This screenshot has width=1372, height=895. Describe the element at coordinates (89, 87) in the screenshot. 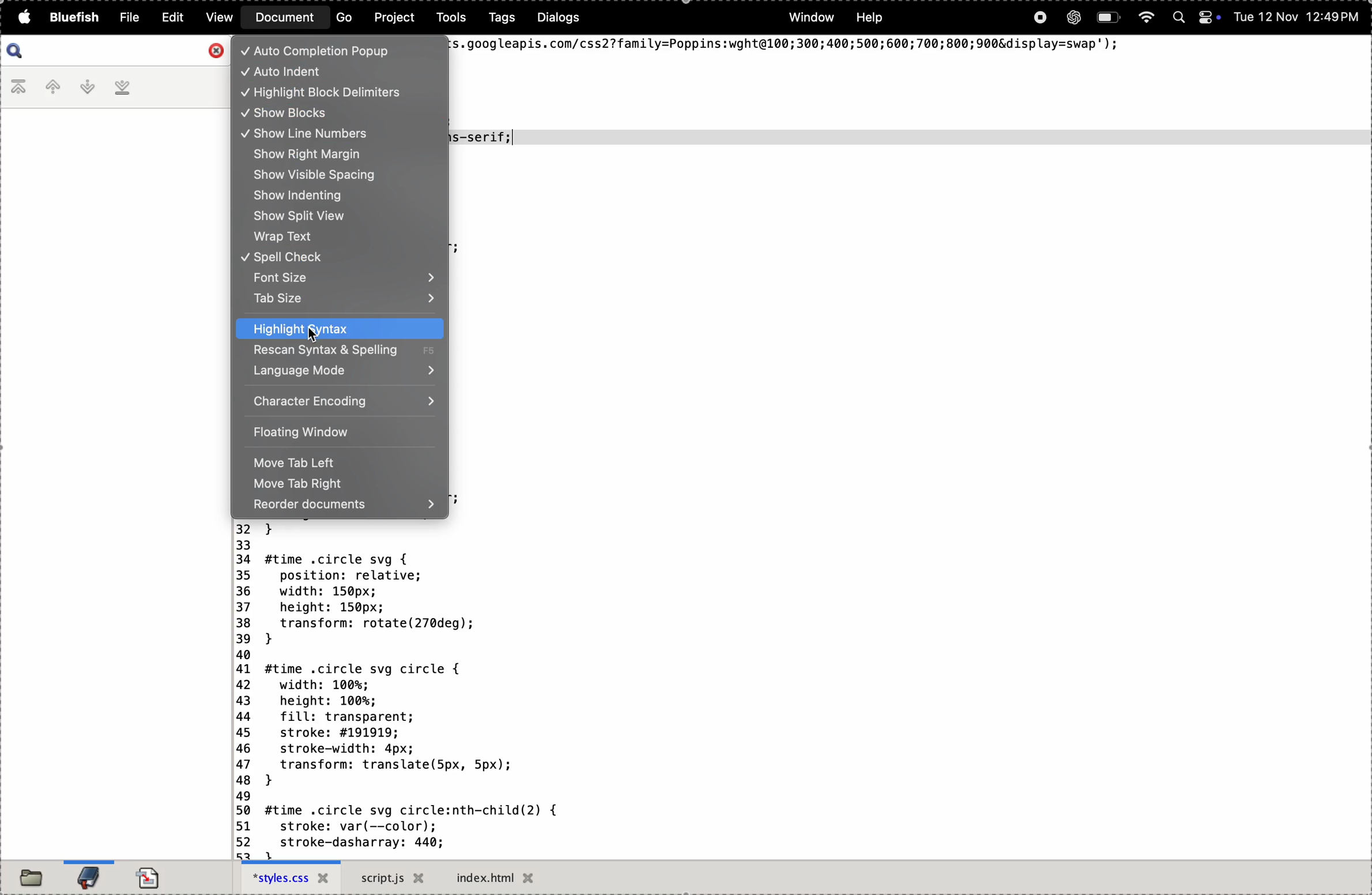

I see `next bookmark` at that location.